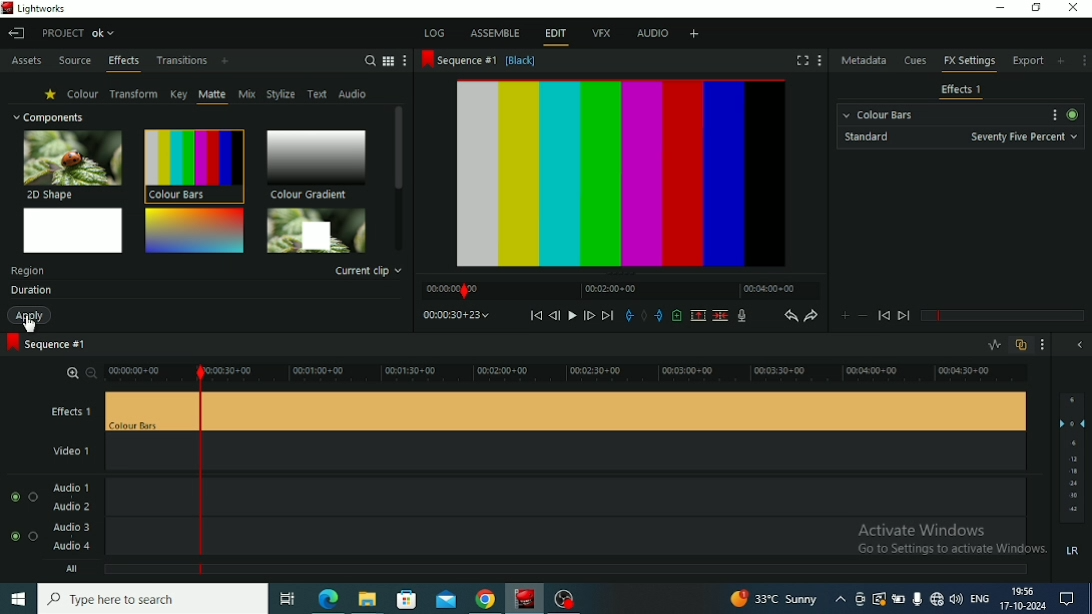 This screenshot has height=614, width=1092. Describe the element at coordinates (28, 271) in the screenshot. I see `Text` at that location.